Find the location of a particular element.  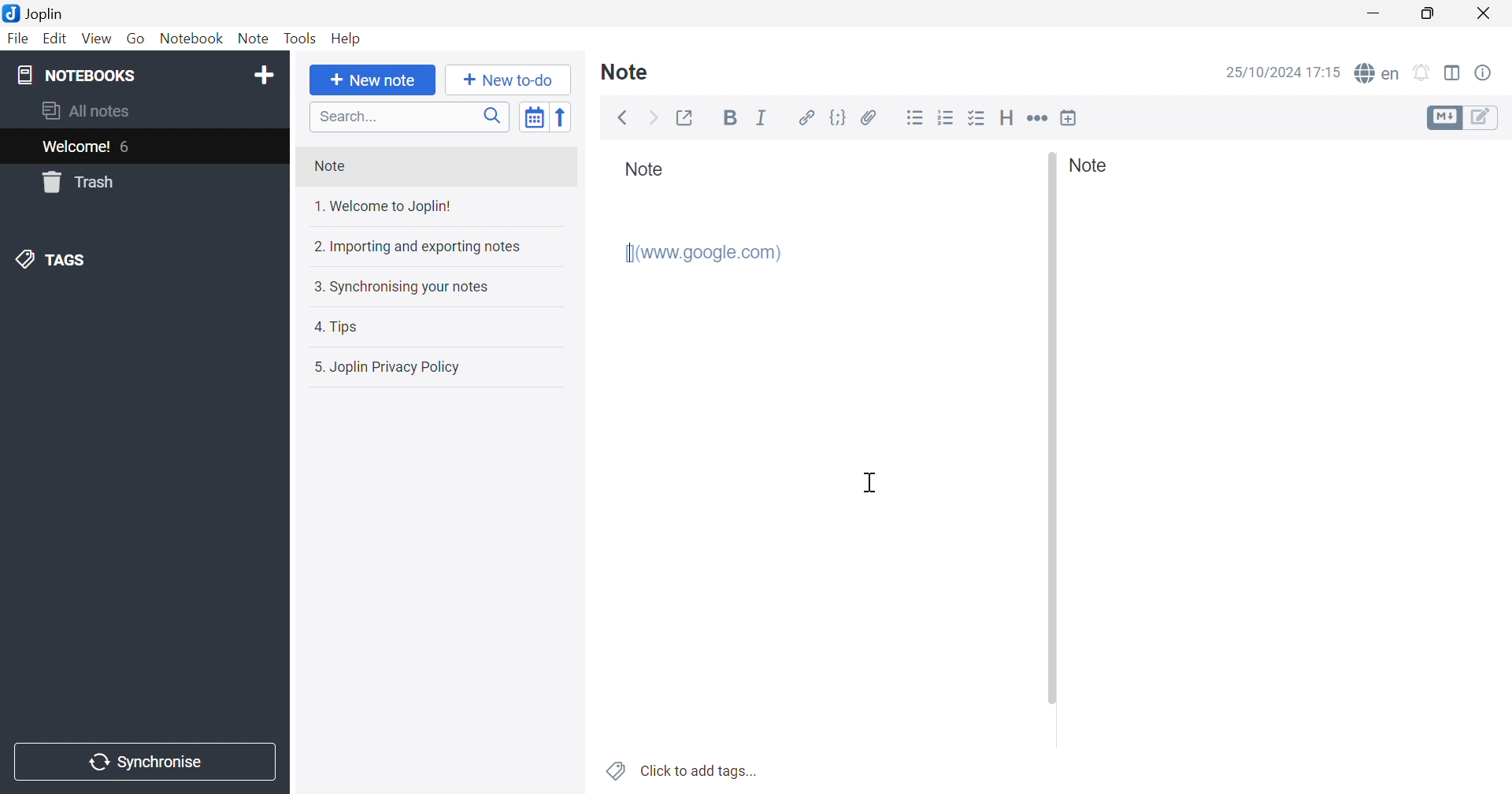

Spell checker is located at coordinates (1377, 74).